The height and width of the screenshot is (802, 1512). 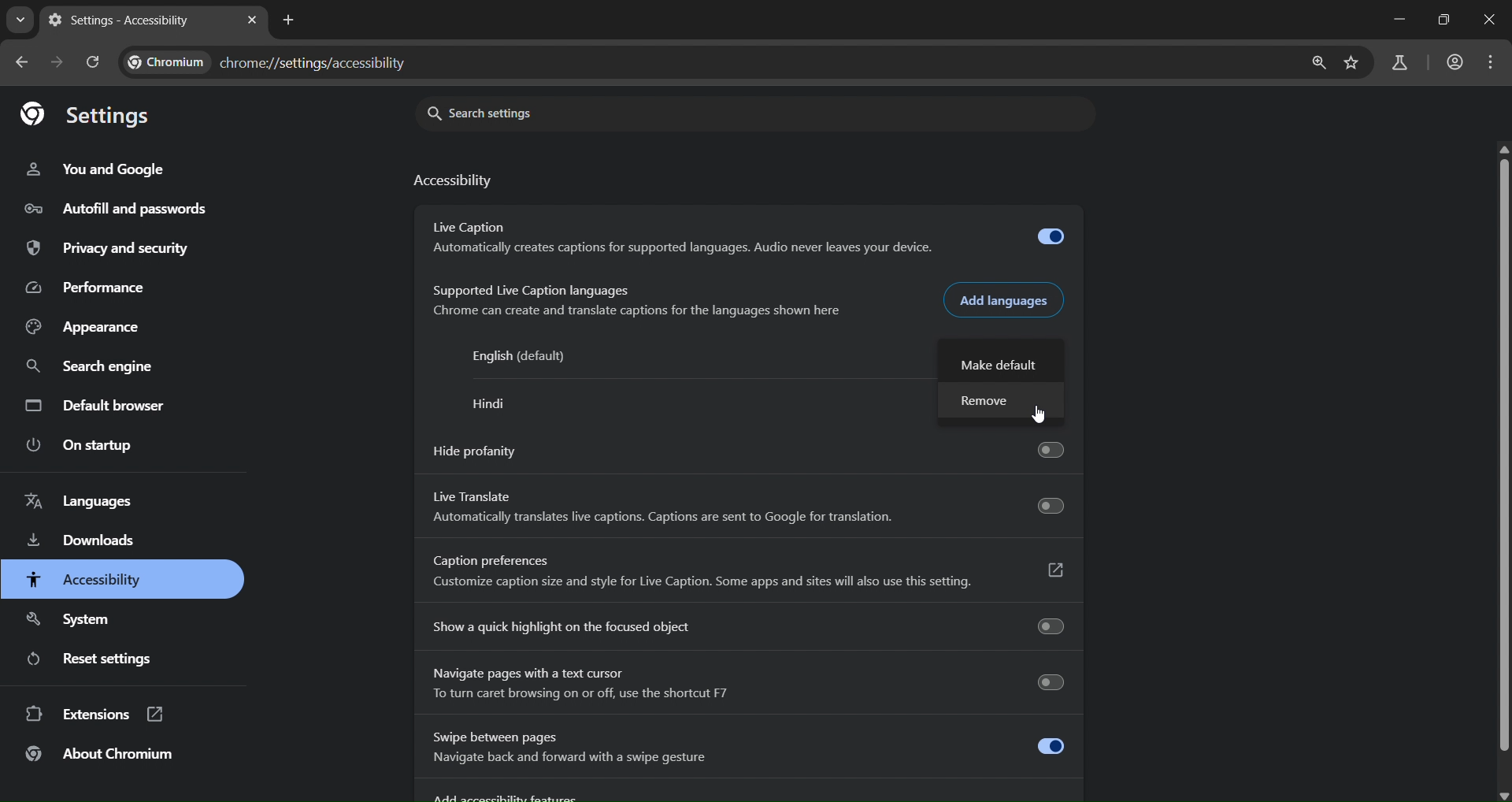 What do you see at coordinates (1352, 62) in the screenshot?
I see `bookmark page` at bounding box center [1352, 62].